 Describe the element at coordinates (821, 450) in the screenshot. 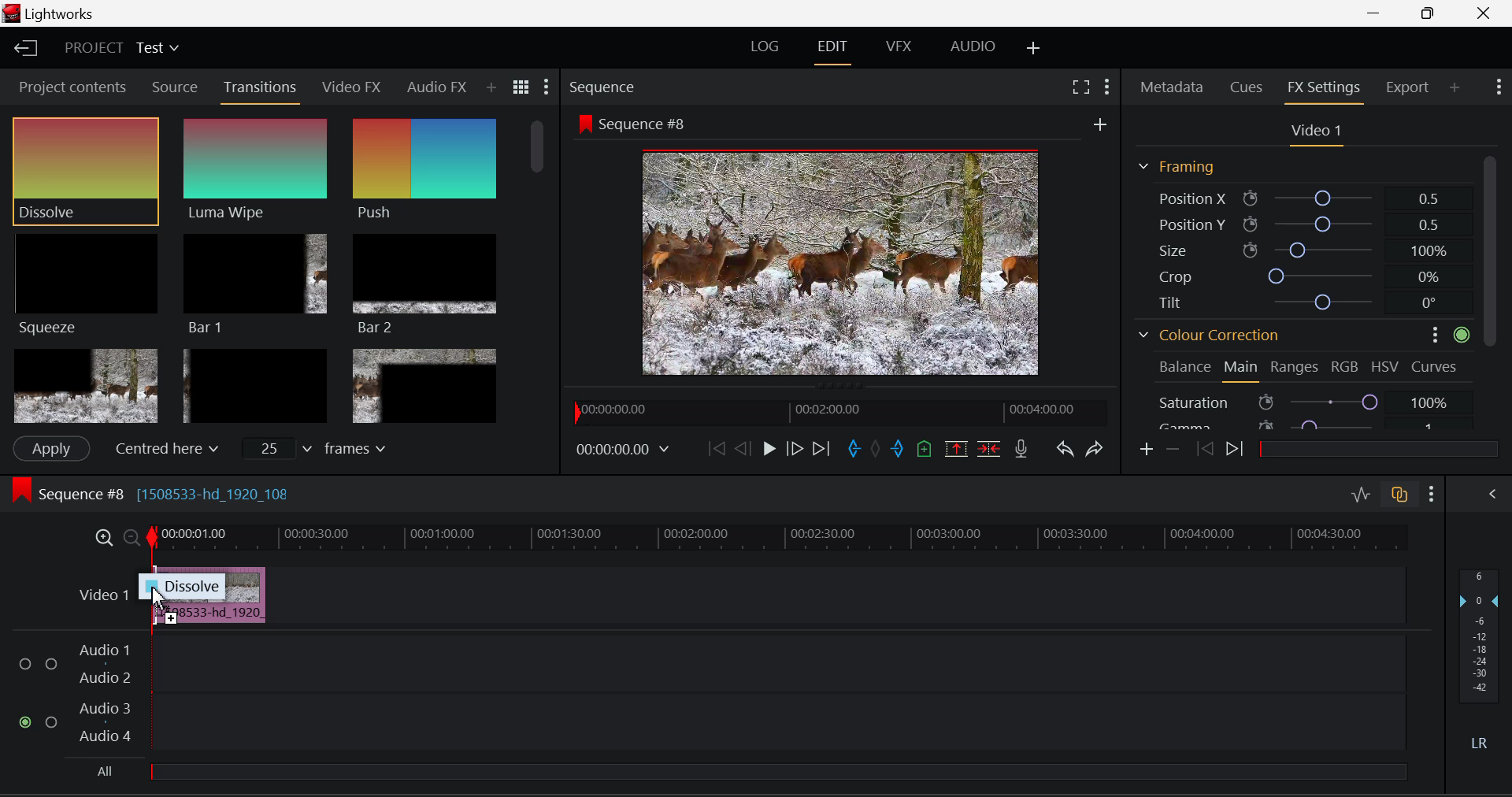

I see `To End` at that location.